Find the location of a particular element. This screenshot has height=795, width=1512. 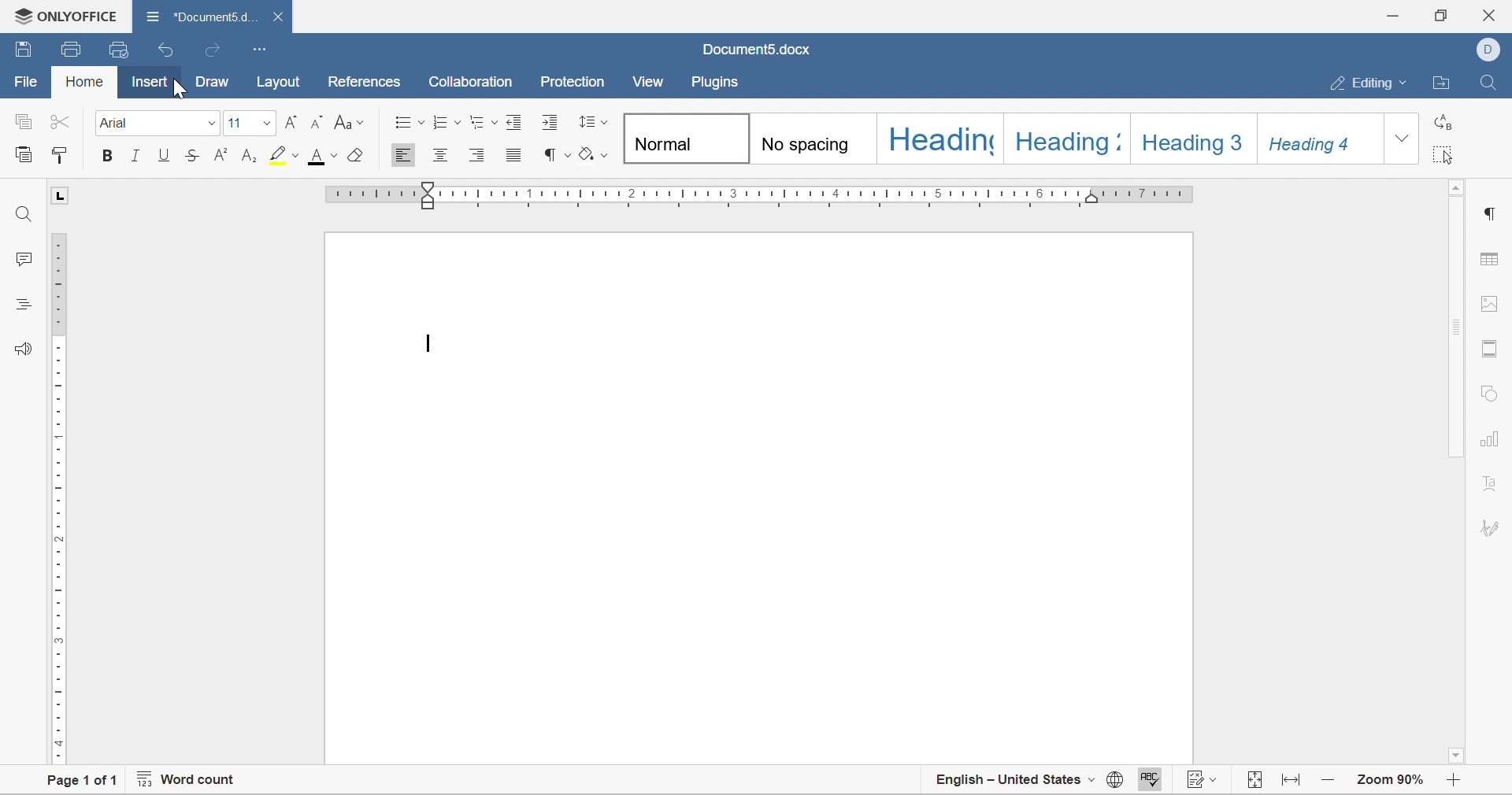

open file location is located at coordinates (1441, 82).